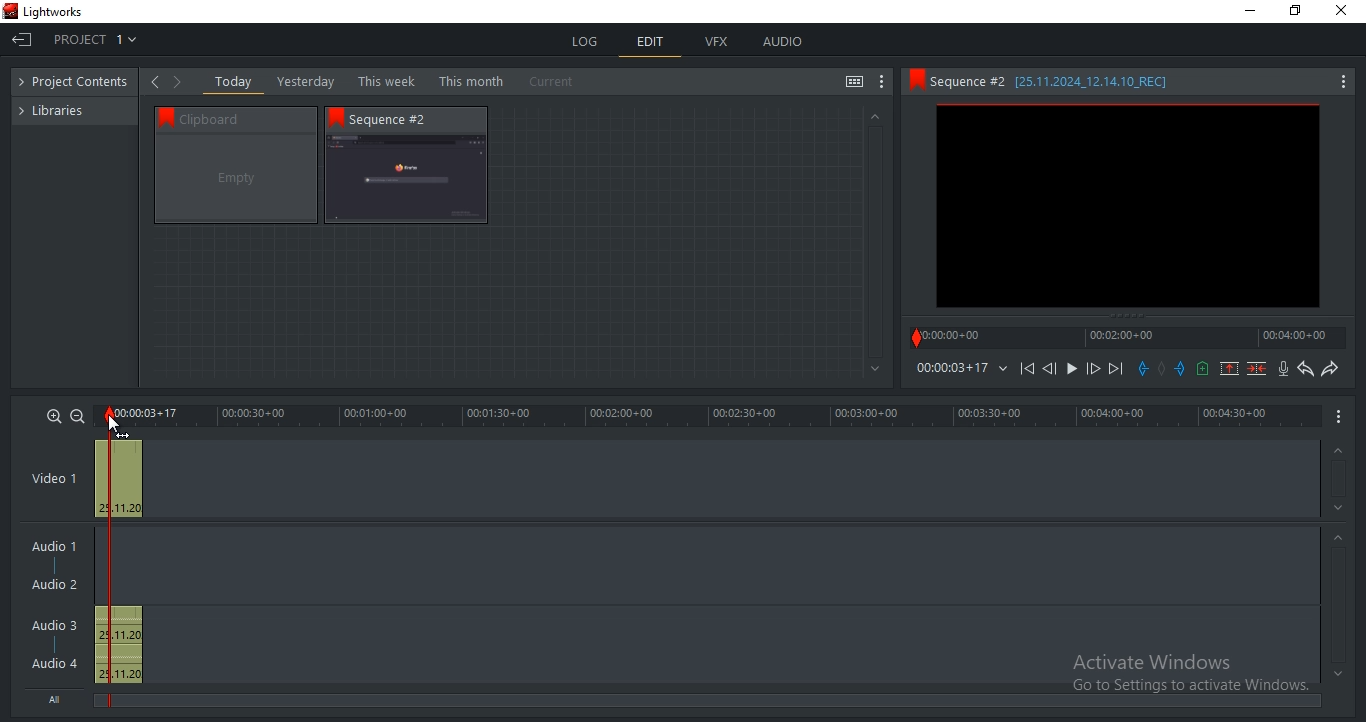  What do you see at coordinates (1003, 369) in the screenshot?
I see `Drop down arrow` at bounding box center [1003, 369].